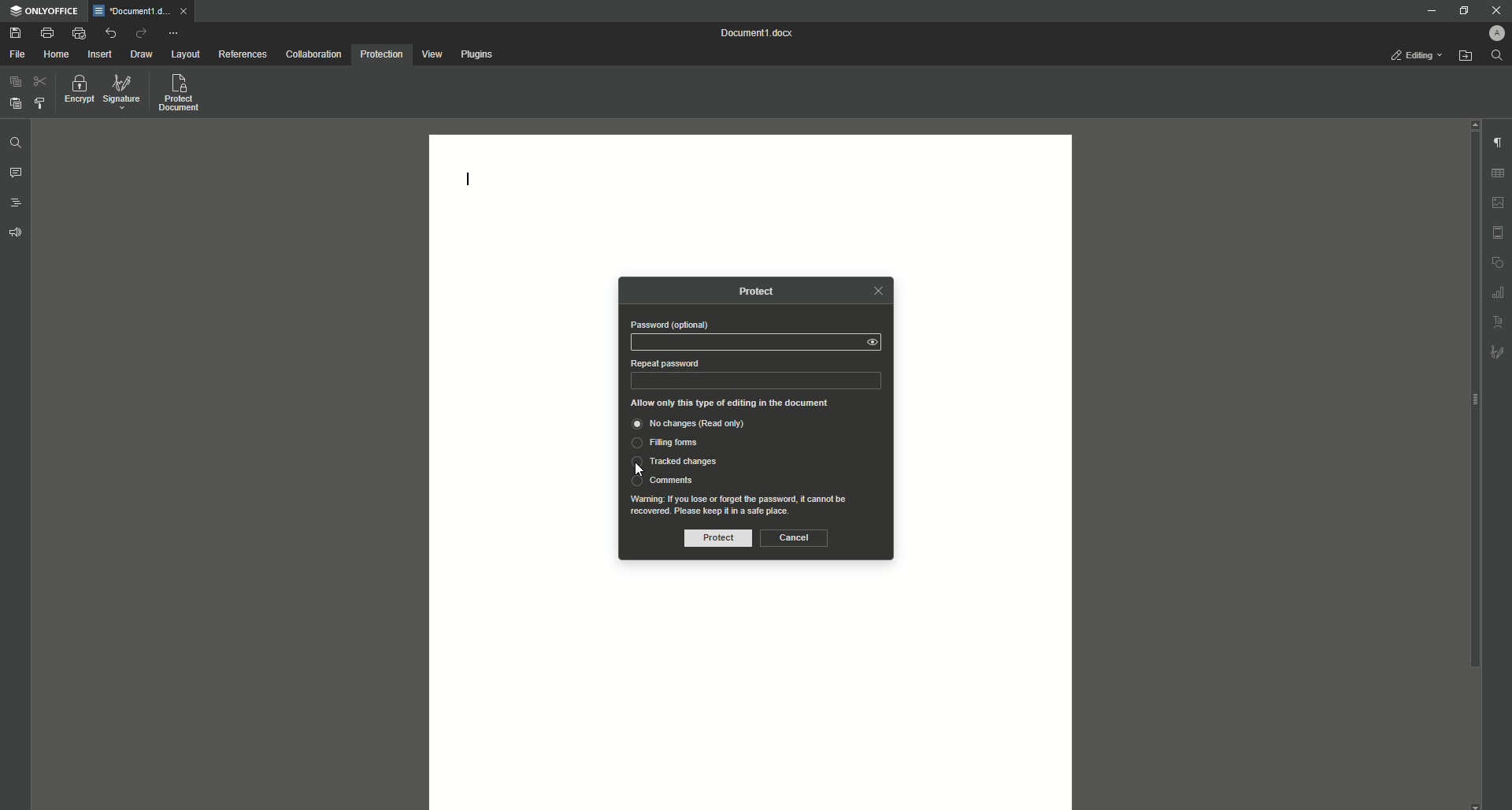 This screenshot has width=1512, height=810. Describe the element at coordinates (1492, 33) in the screenshot. I see `Profile` at that location.